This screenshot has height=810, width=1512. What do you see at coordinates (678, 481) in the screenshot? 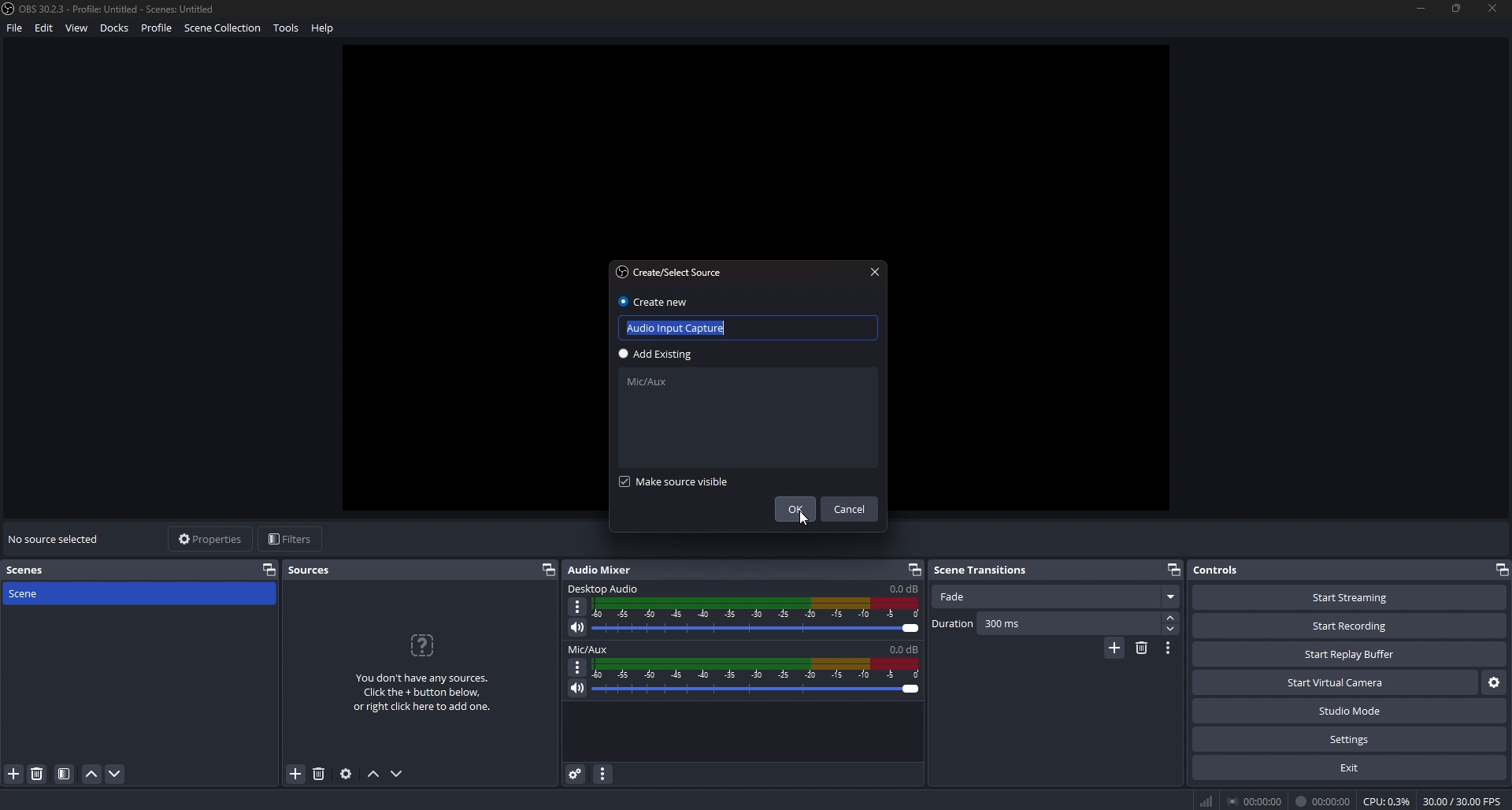
I see `make source visible` at bounding box center [678, 481].